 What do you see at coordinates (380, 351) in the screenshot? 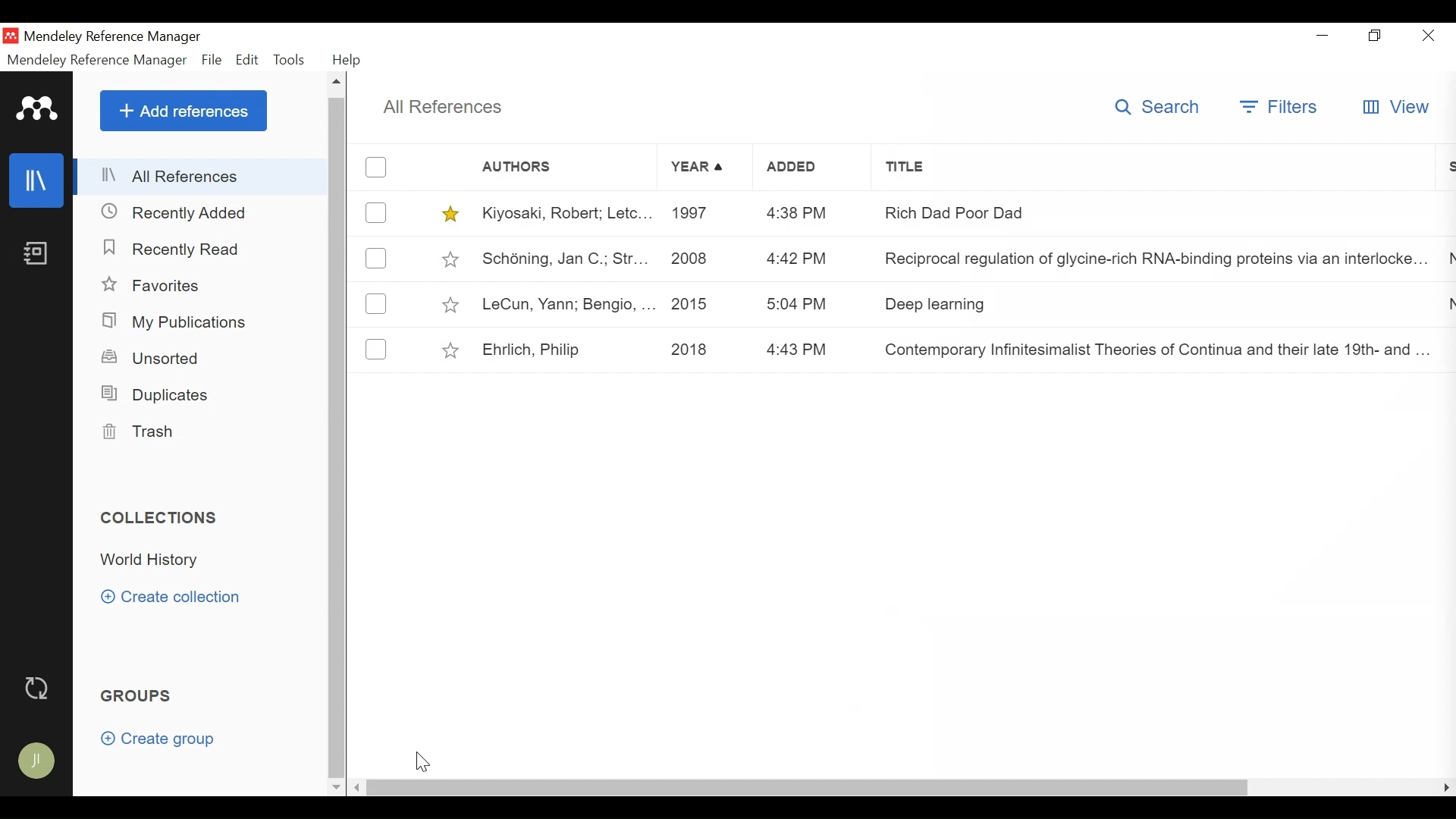
I see `(un) select` at bounding box center [380, 351].